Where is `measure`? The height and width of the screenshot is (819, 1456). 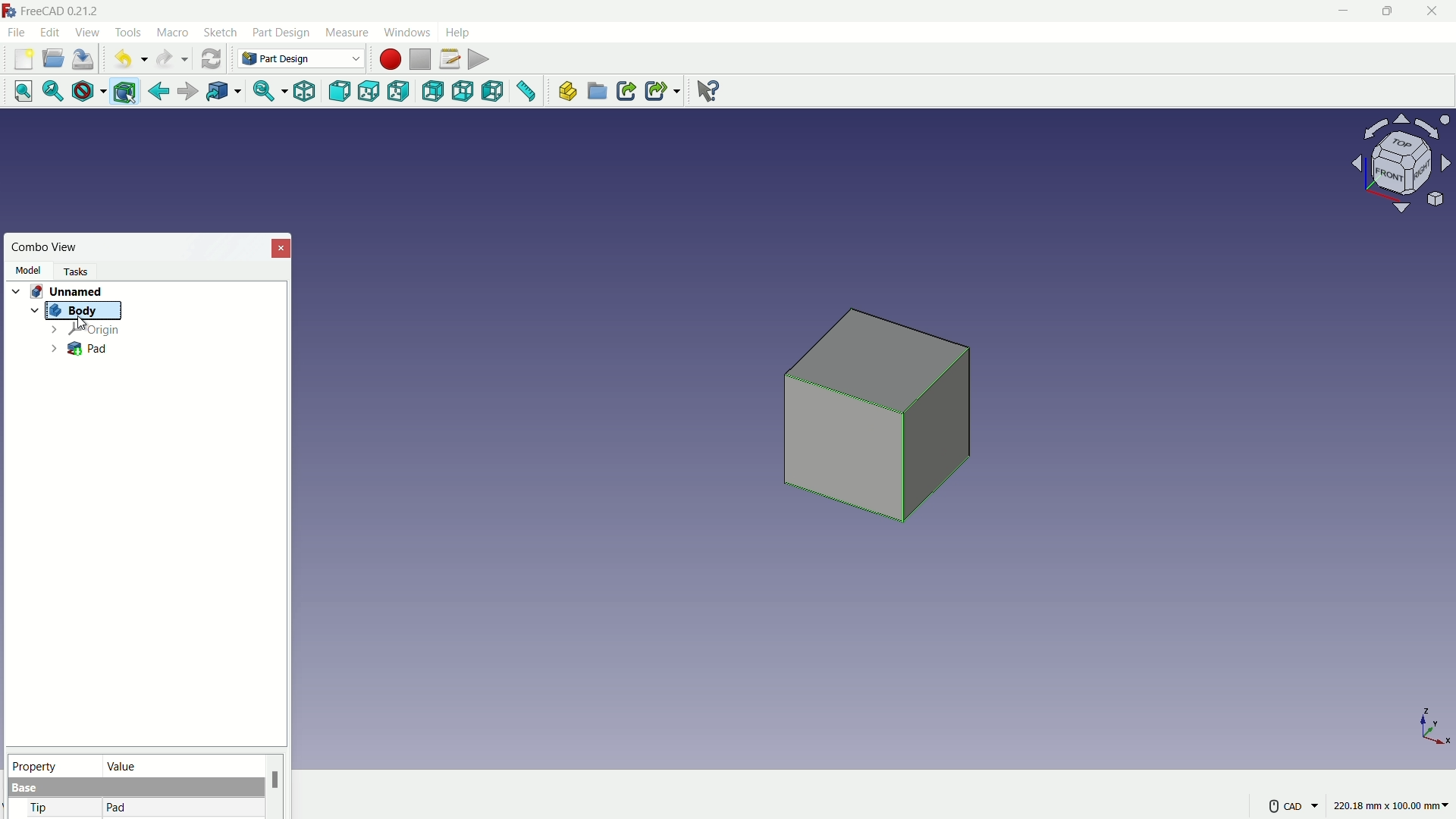 measure is located at coordinates (527, 93).